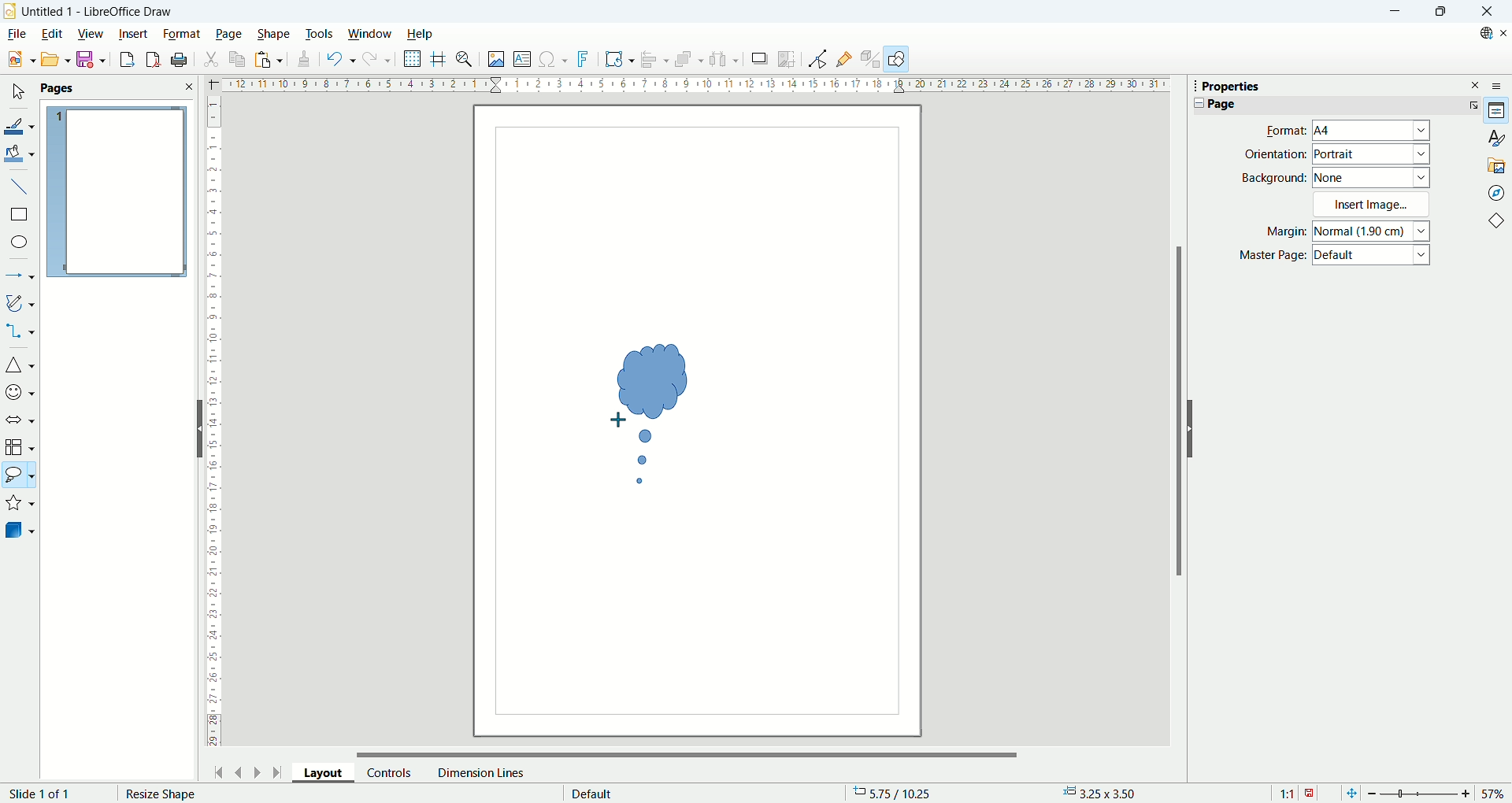 This screenshot has height=803, width=1512. What do you see at coordinates (220, 771) in the screenshot?
I see `go to first page` at bounding box center [220, 771].